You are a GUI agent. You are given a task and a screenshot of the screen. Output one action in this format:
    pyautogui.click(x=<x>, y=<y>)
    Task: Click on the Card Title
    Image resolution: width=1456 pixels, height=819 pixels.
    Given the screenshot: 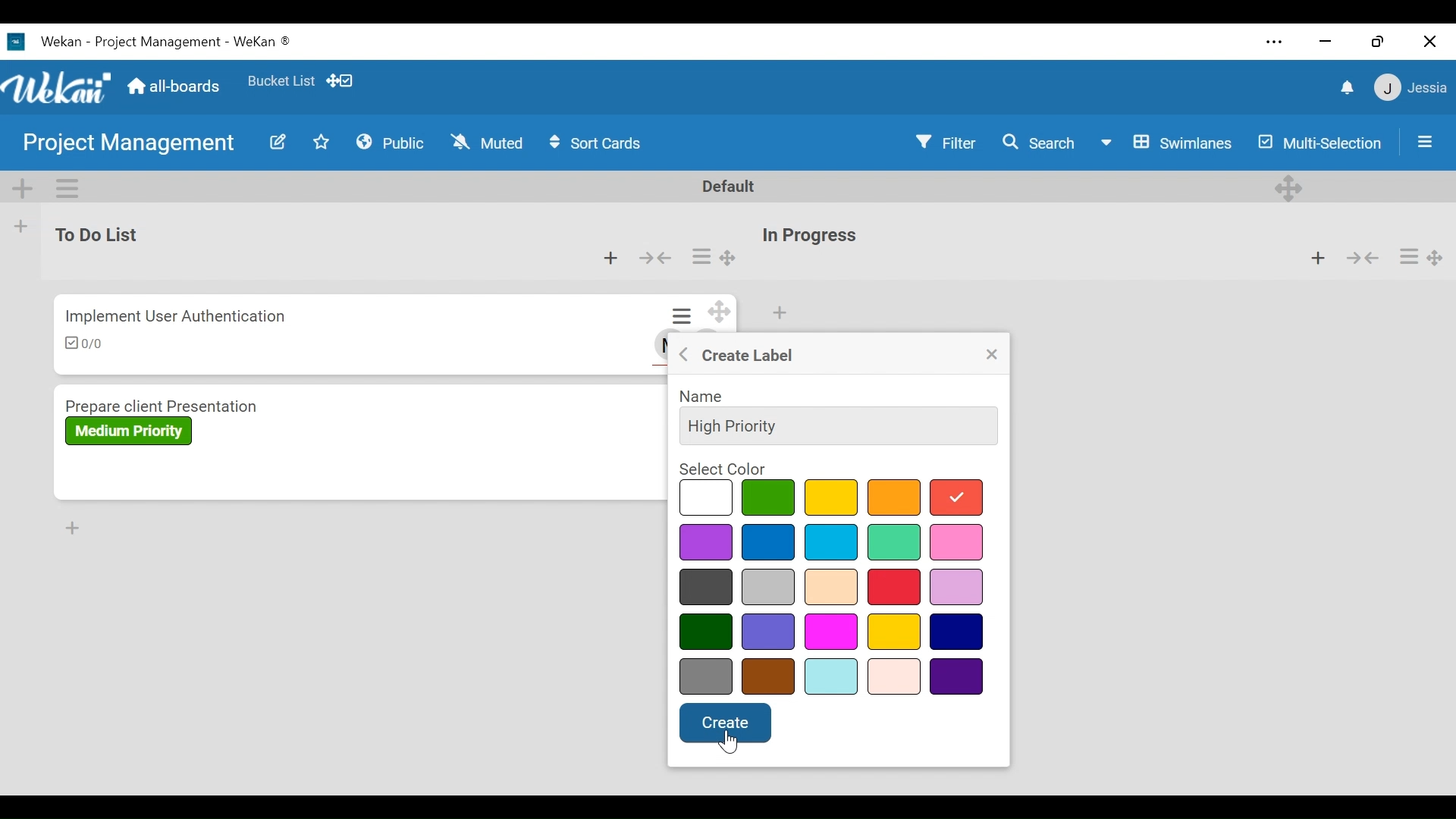 What is the action you would take?
    pyautogui.click(x=168, y=403)
    